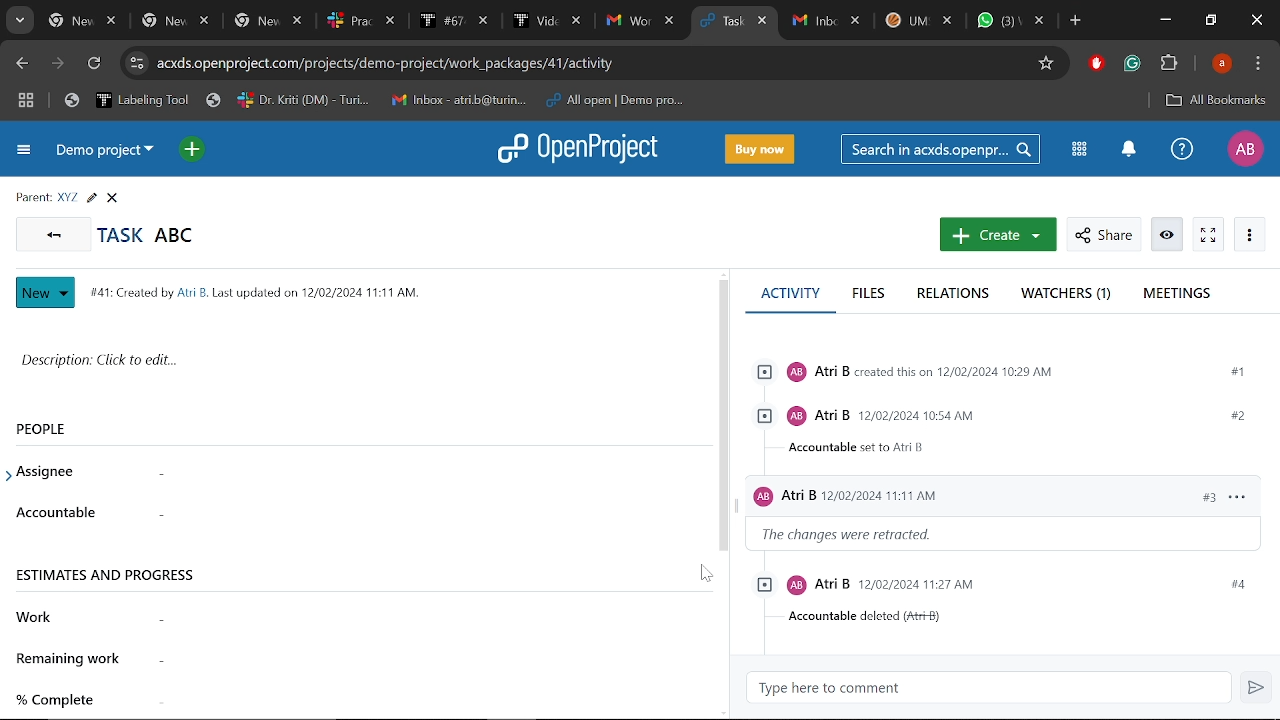 This screenshot has width=1280, height=720. What do you see at coordinates (72, 661) in the screenshot?
I see `Remaining work` at bounding box center [72, 661].